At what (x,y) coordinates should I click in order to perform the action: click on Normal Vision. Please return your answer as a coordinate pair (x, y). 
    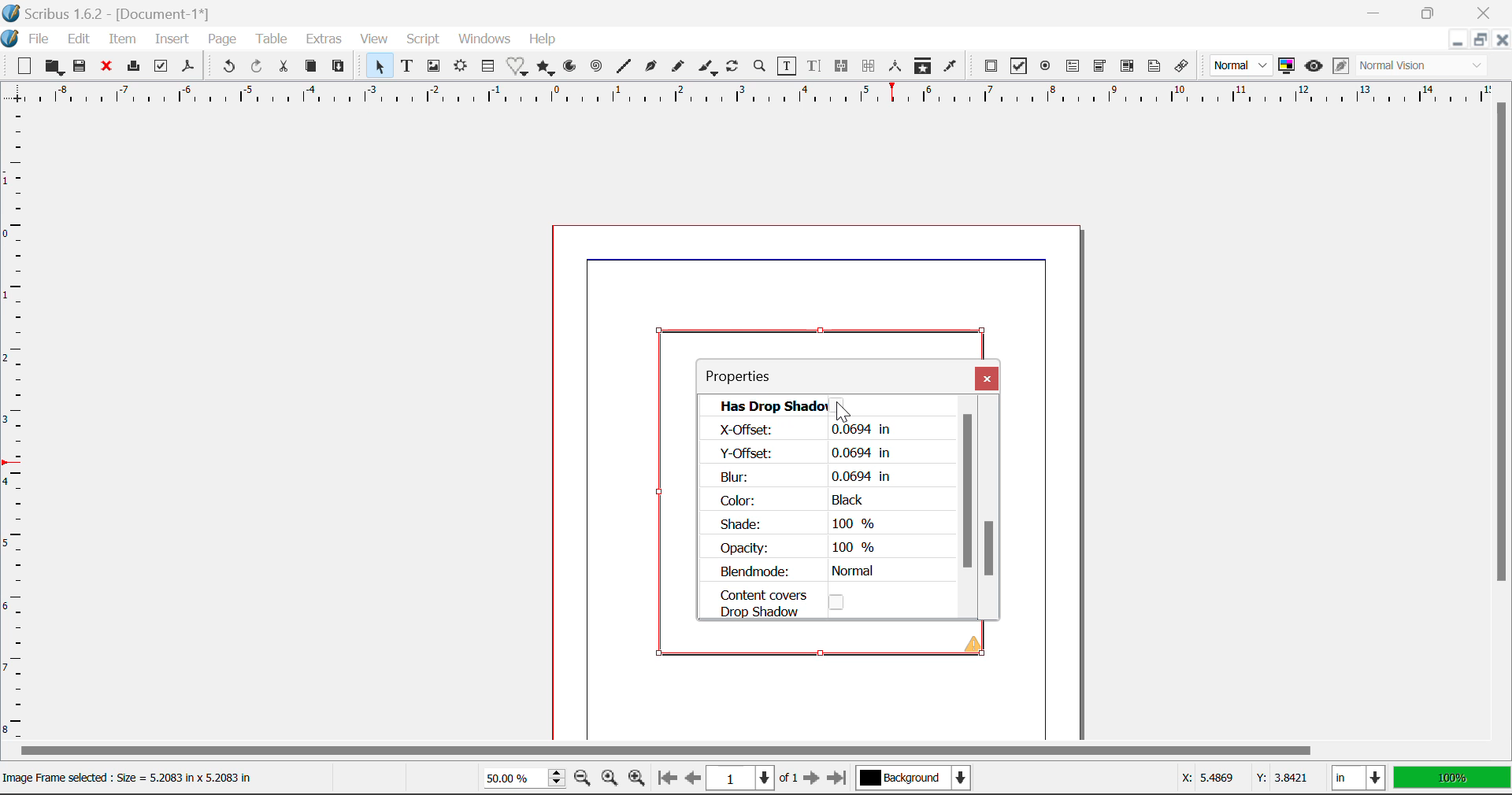
    Looking at the image, I should click on (1422, 65).